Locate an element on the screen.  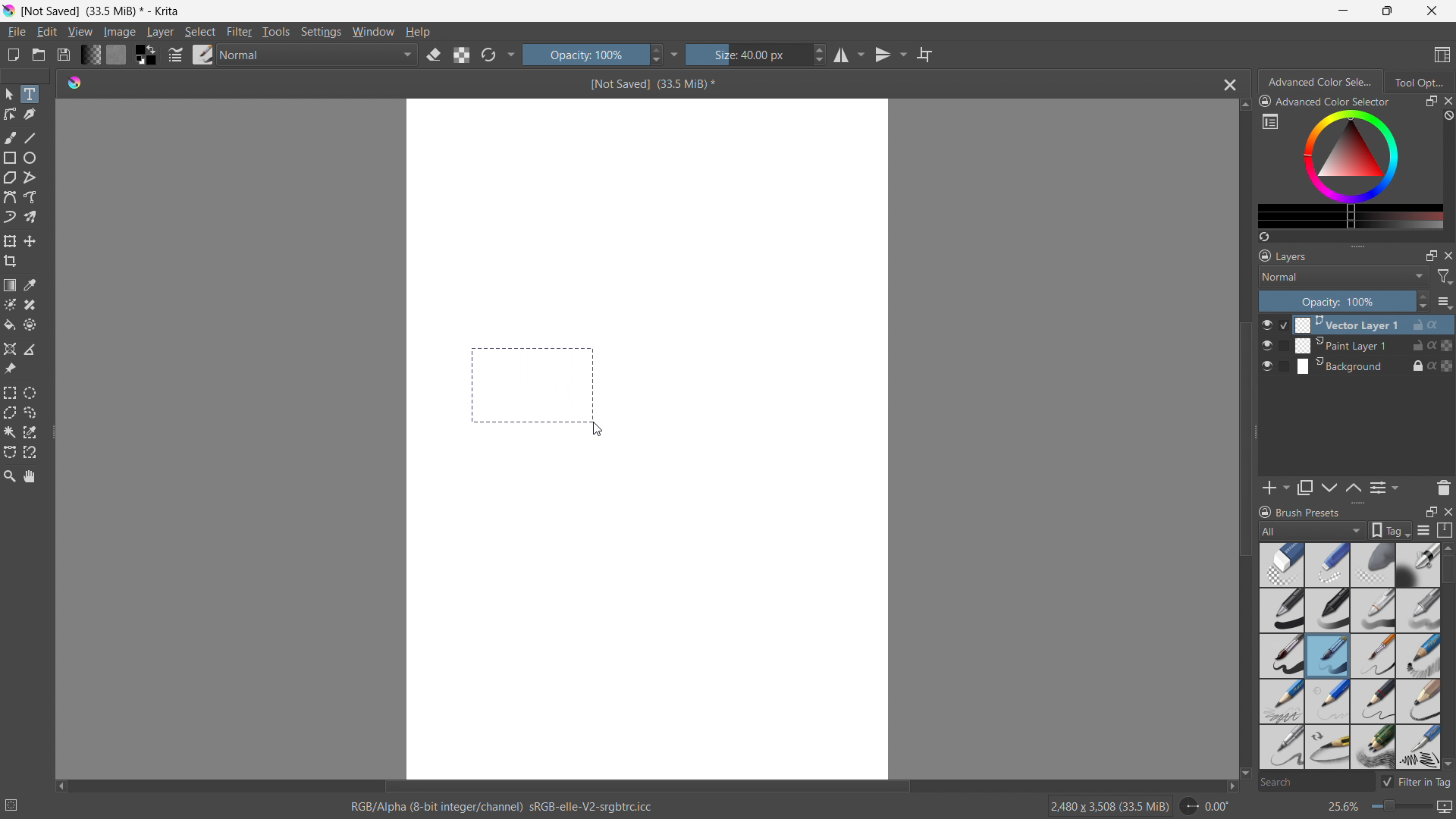
text tool selected is located at coordinates (29, 94).